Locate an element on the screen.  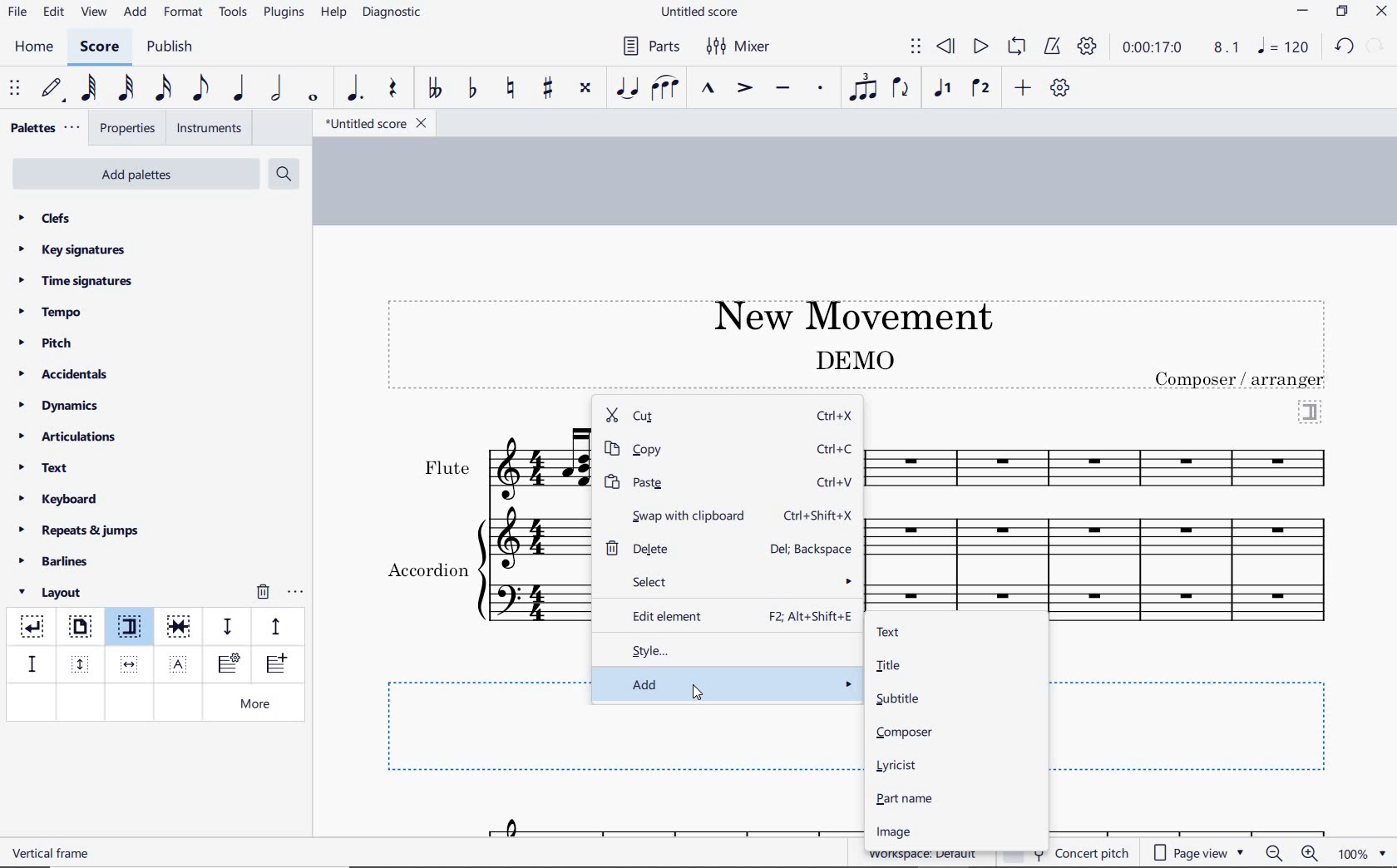
file is located at coordinates (17, 15).